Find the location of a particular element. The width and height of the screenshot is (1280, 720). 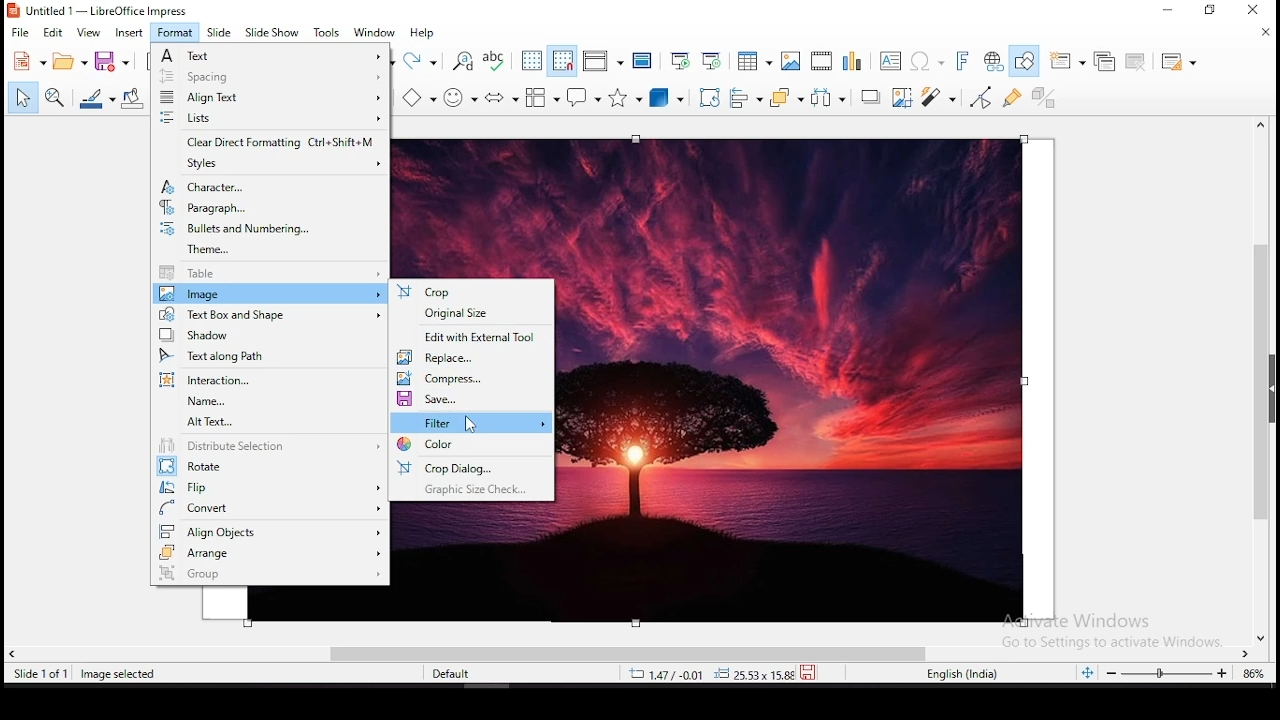

tools is located at coordinates (326, 32).